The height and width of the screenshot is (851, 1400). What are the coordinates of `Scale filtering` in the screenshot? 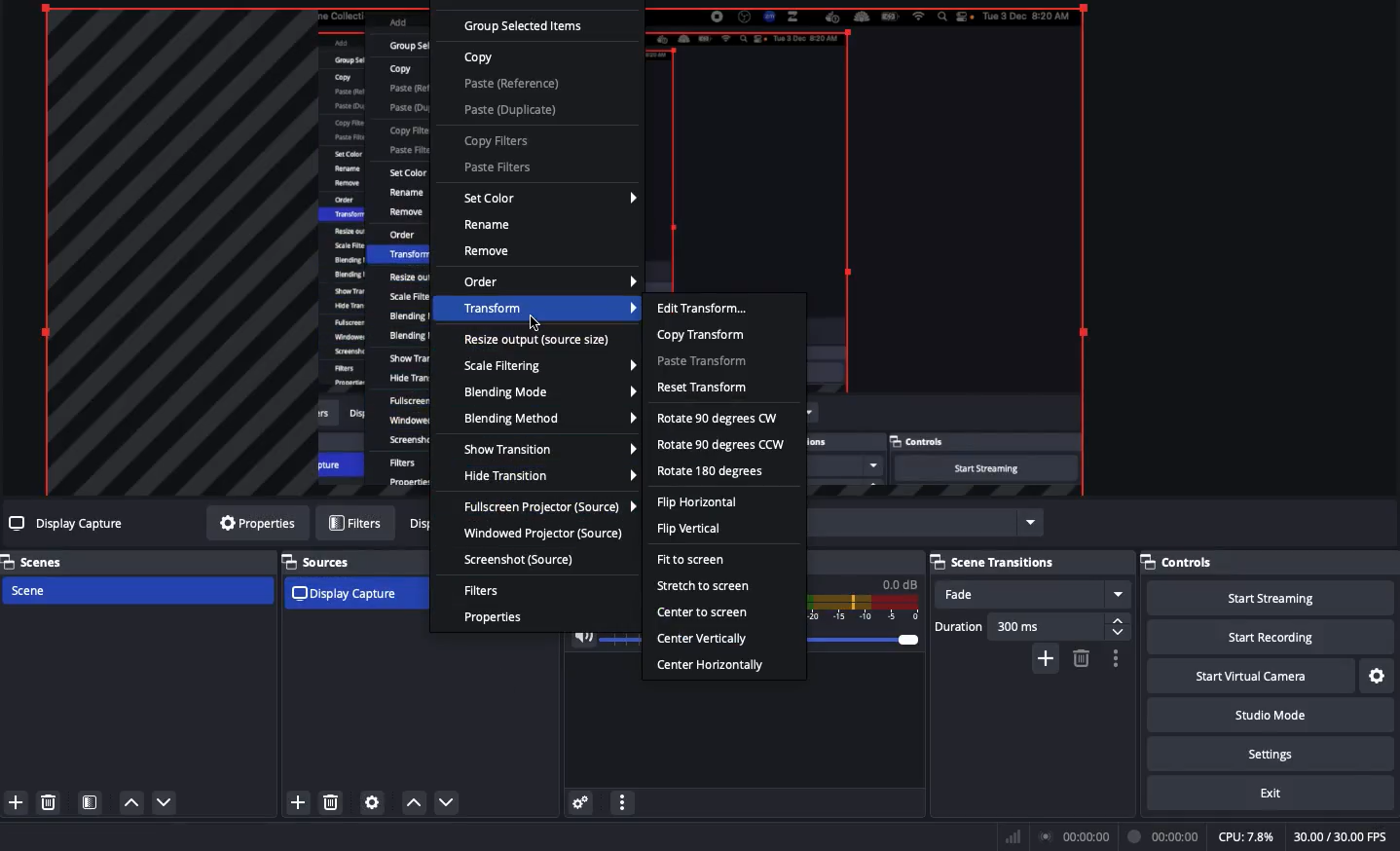 It's located at (550, 368).